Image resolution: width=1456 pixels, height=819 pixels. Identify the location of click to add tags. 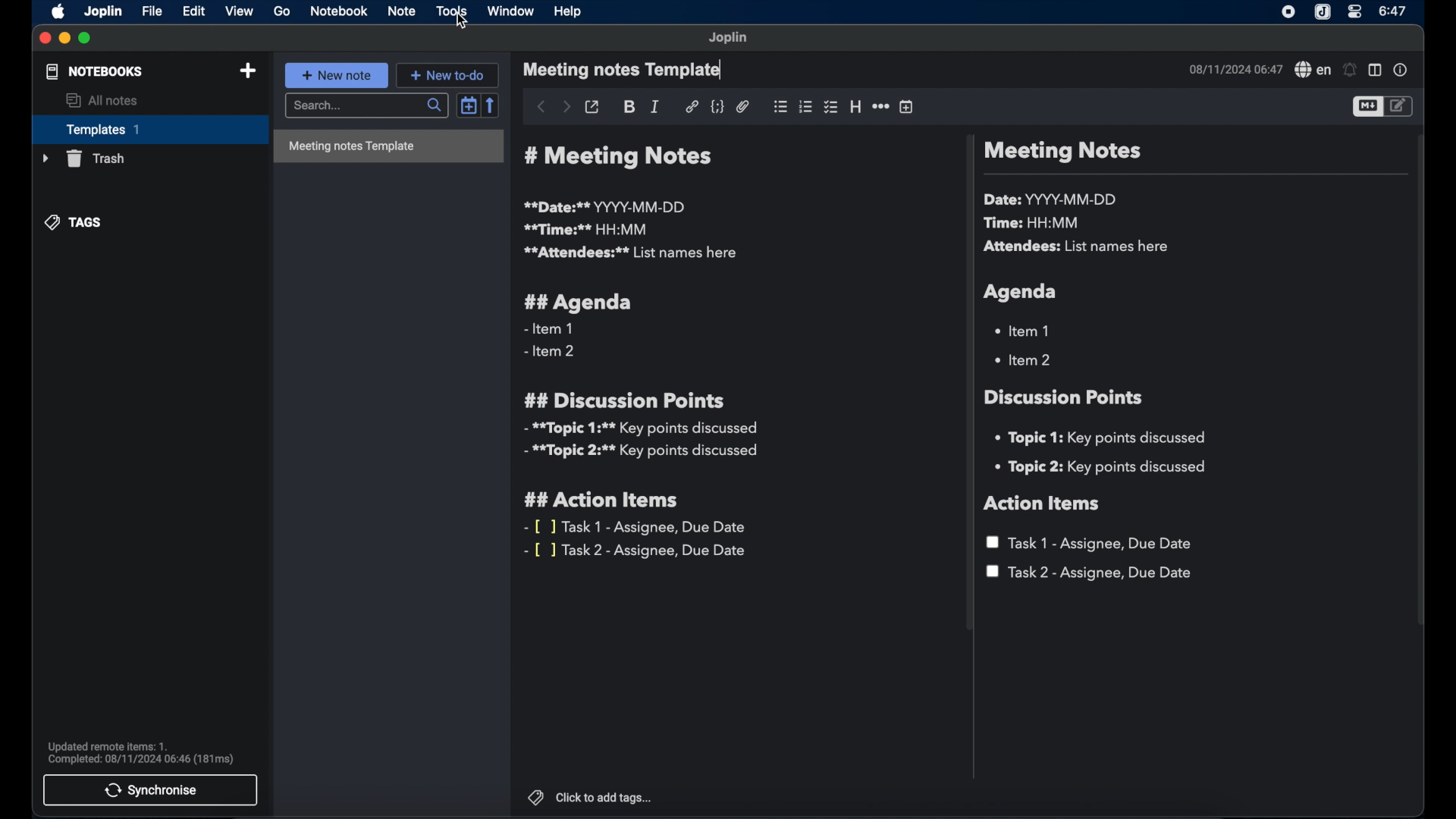
(591, 798).